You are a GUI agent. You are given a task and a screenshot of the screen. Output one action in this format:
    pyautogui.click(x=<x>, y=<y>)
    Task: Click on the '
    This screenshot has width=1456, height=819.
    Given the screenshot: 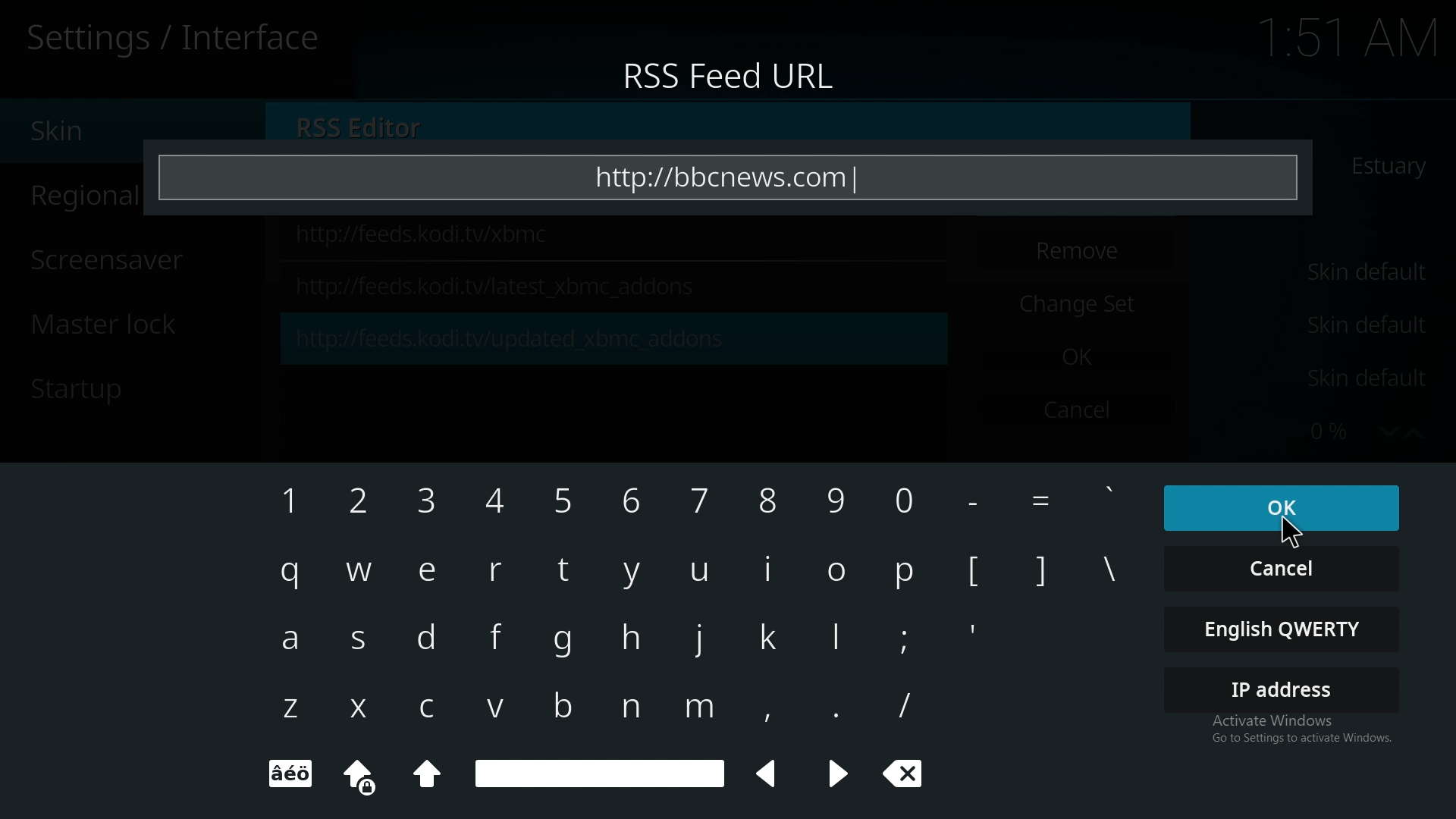 What is the action you would take?
    pyautogui.click(x=975, y=633)
    